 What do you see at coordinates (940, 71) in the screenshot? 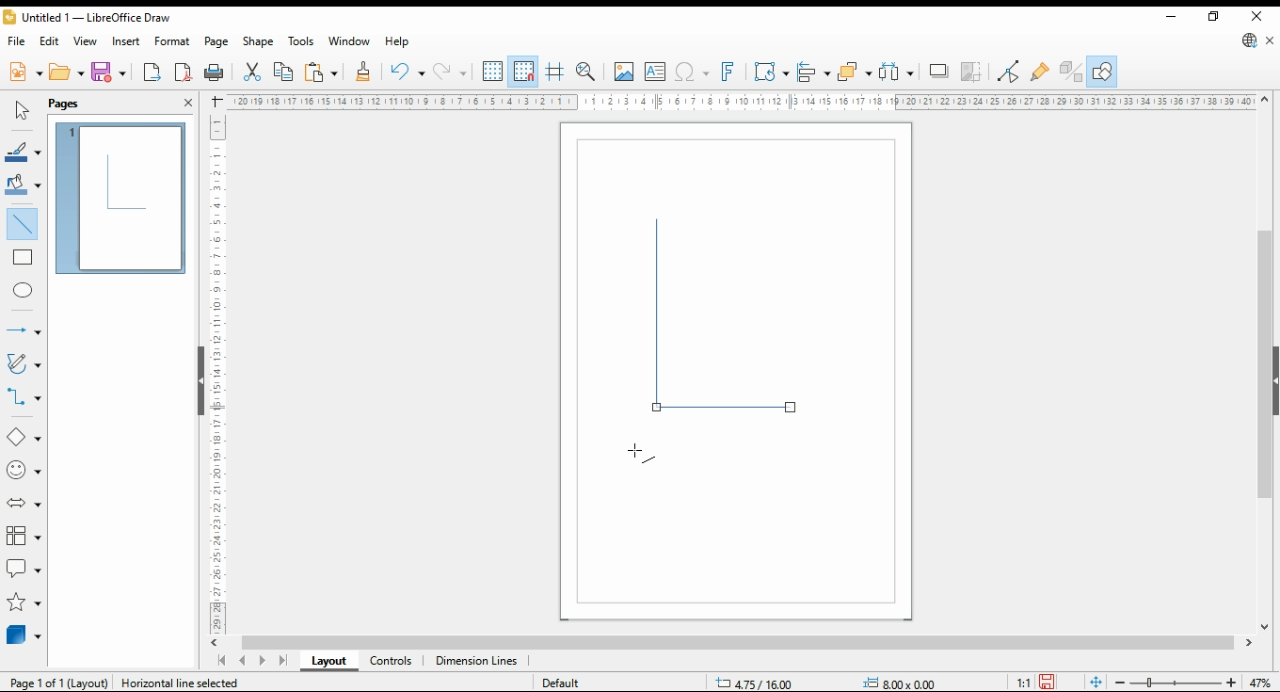
I see `shadow` at bounding box center [940, 71].